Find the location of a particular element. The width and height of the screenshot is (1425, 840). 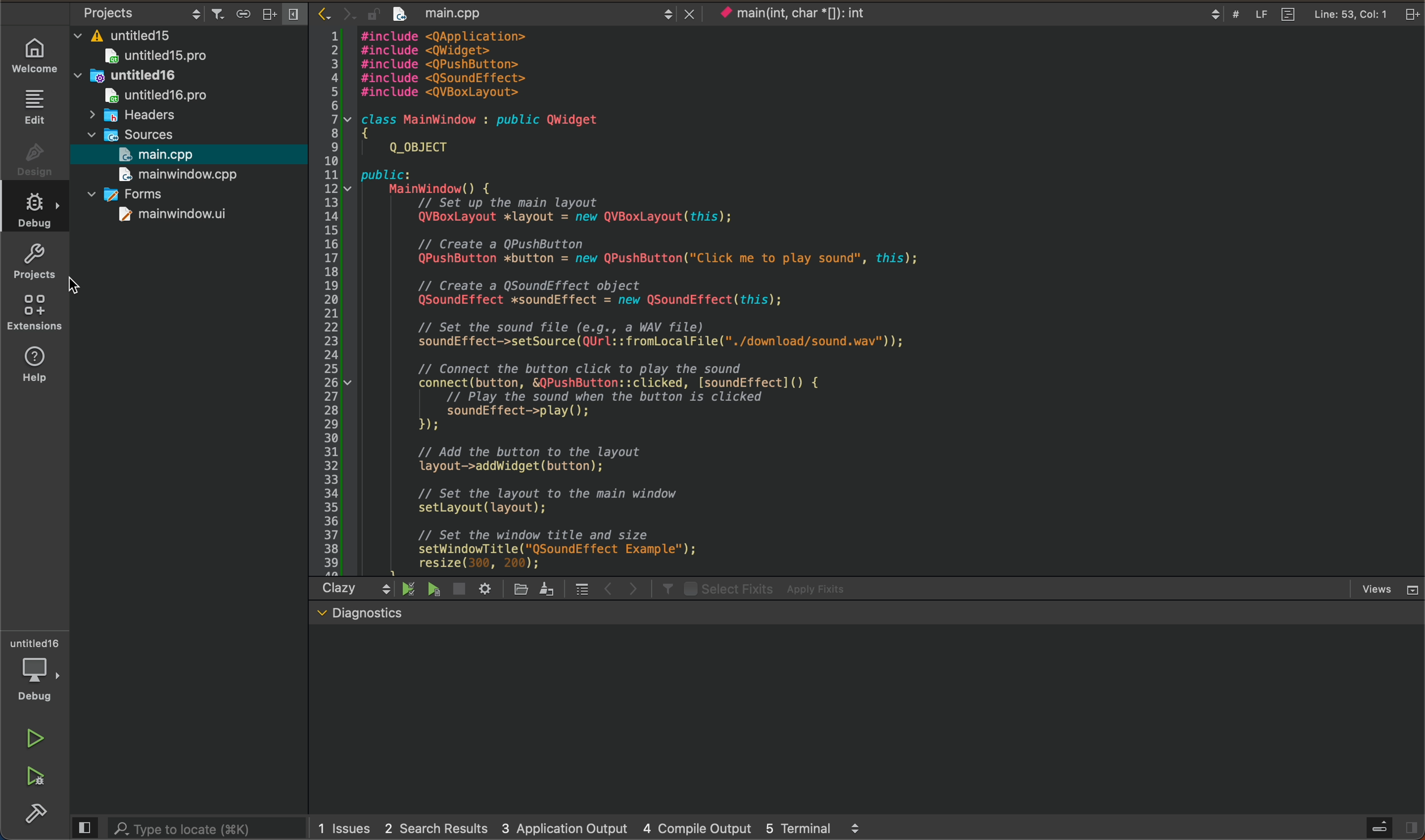

projects is located at coordinates (32, 262).